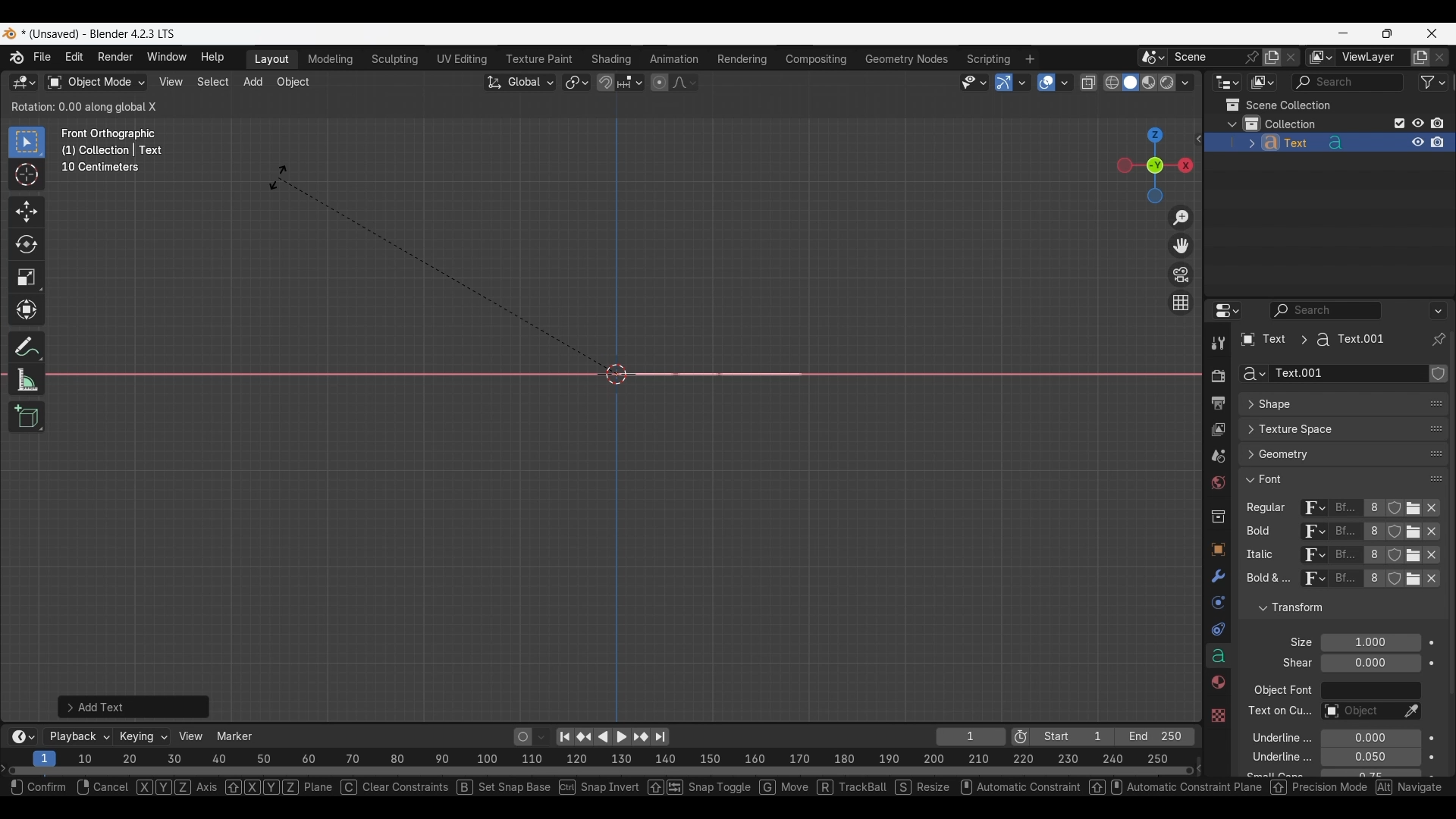  I want to click on Overlays, so click(1064, 83).